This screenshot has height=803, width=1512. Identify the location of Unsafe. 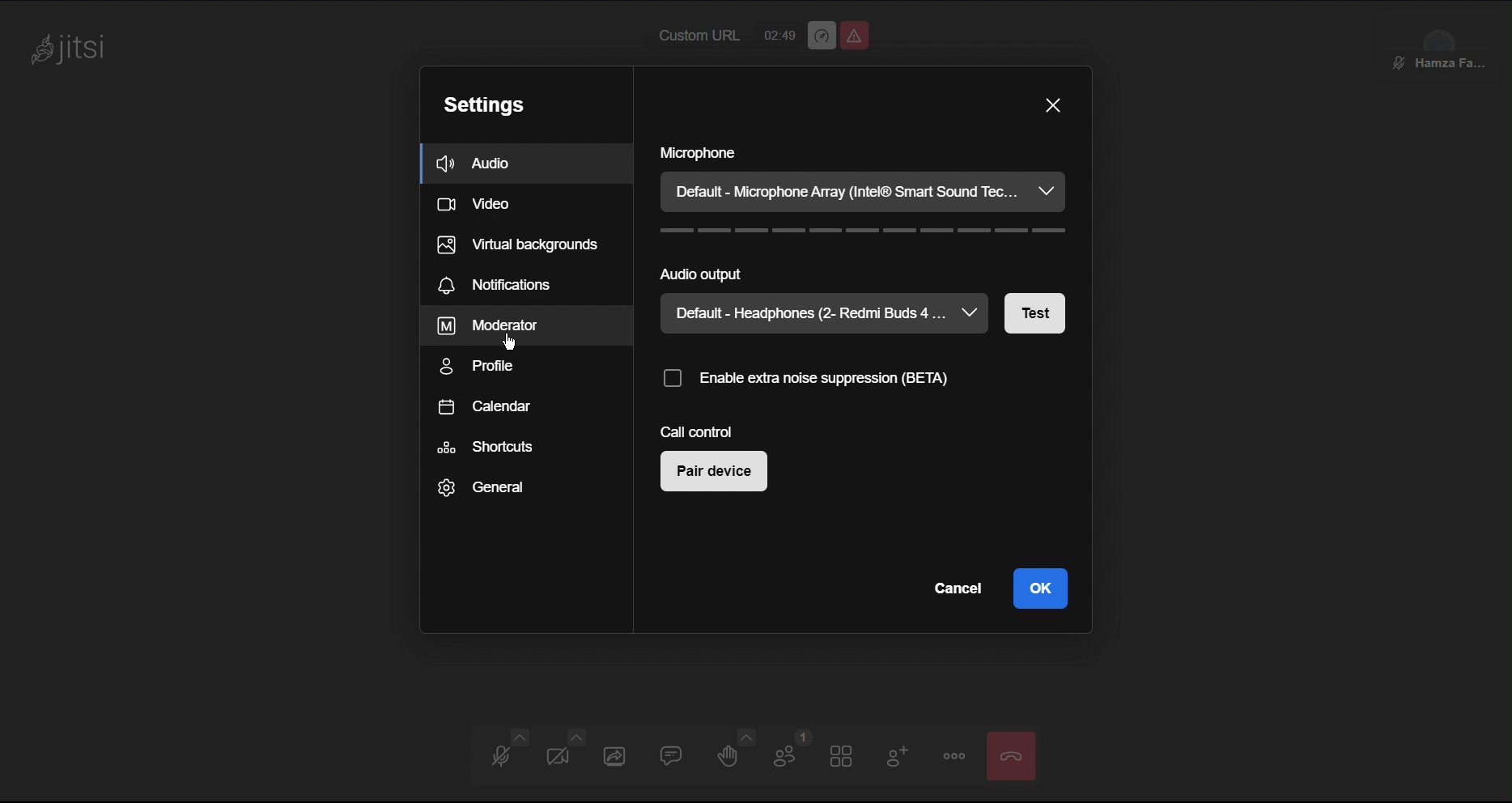
(855, 36).